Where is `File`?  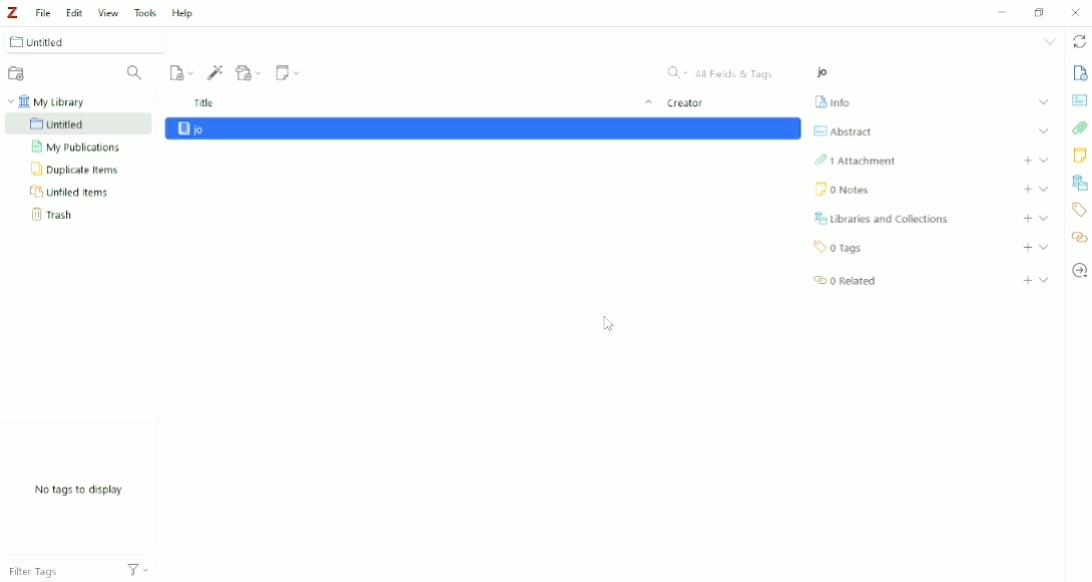
File is located at coordinates (44, 11).